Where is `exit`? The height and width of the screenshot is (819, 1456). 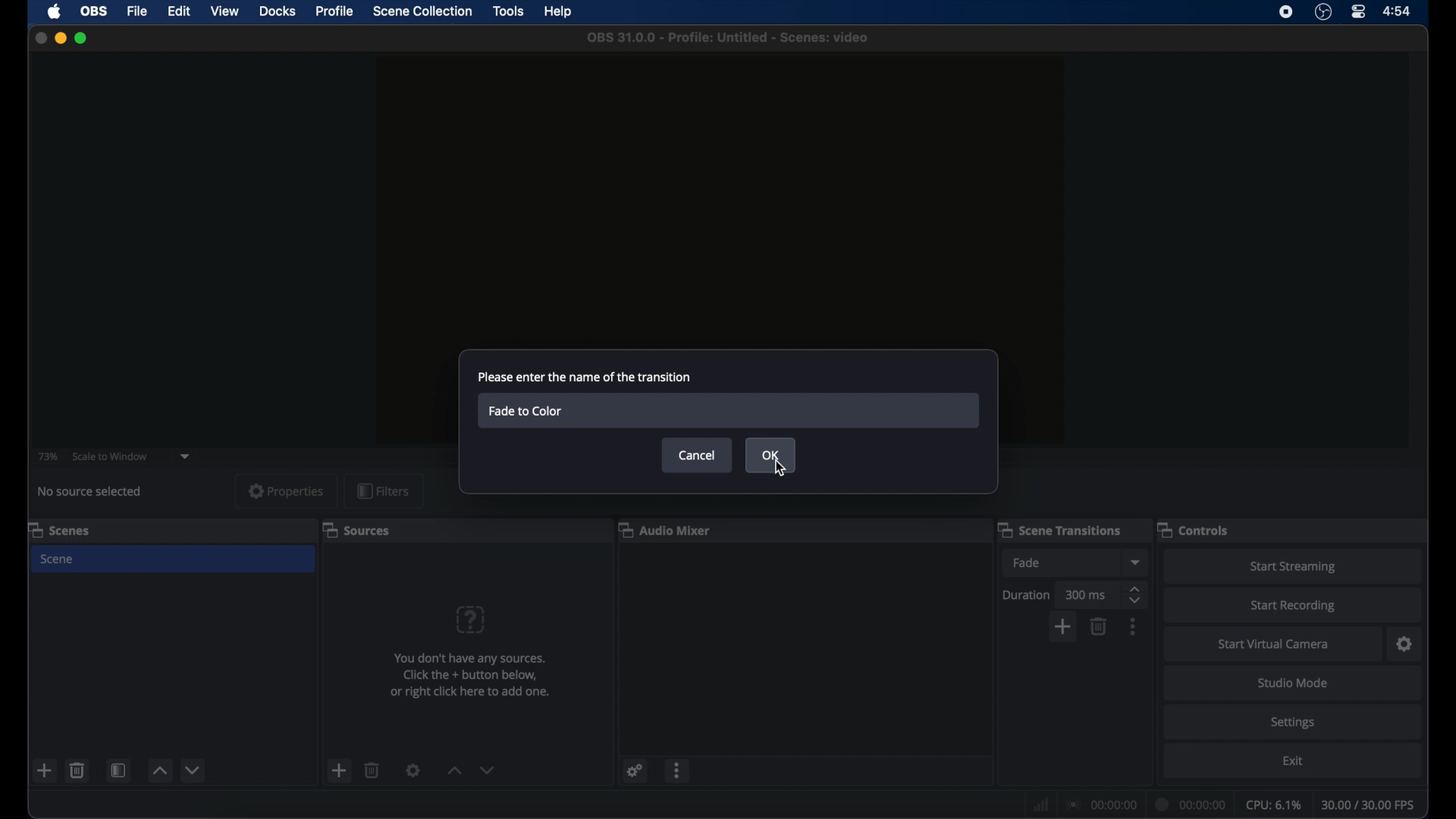
exit is located at coordinates (1294, 761).